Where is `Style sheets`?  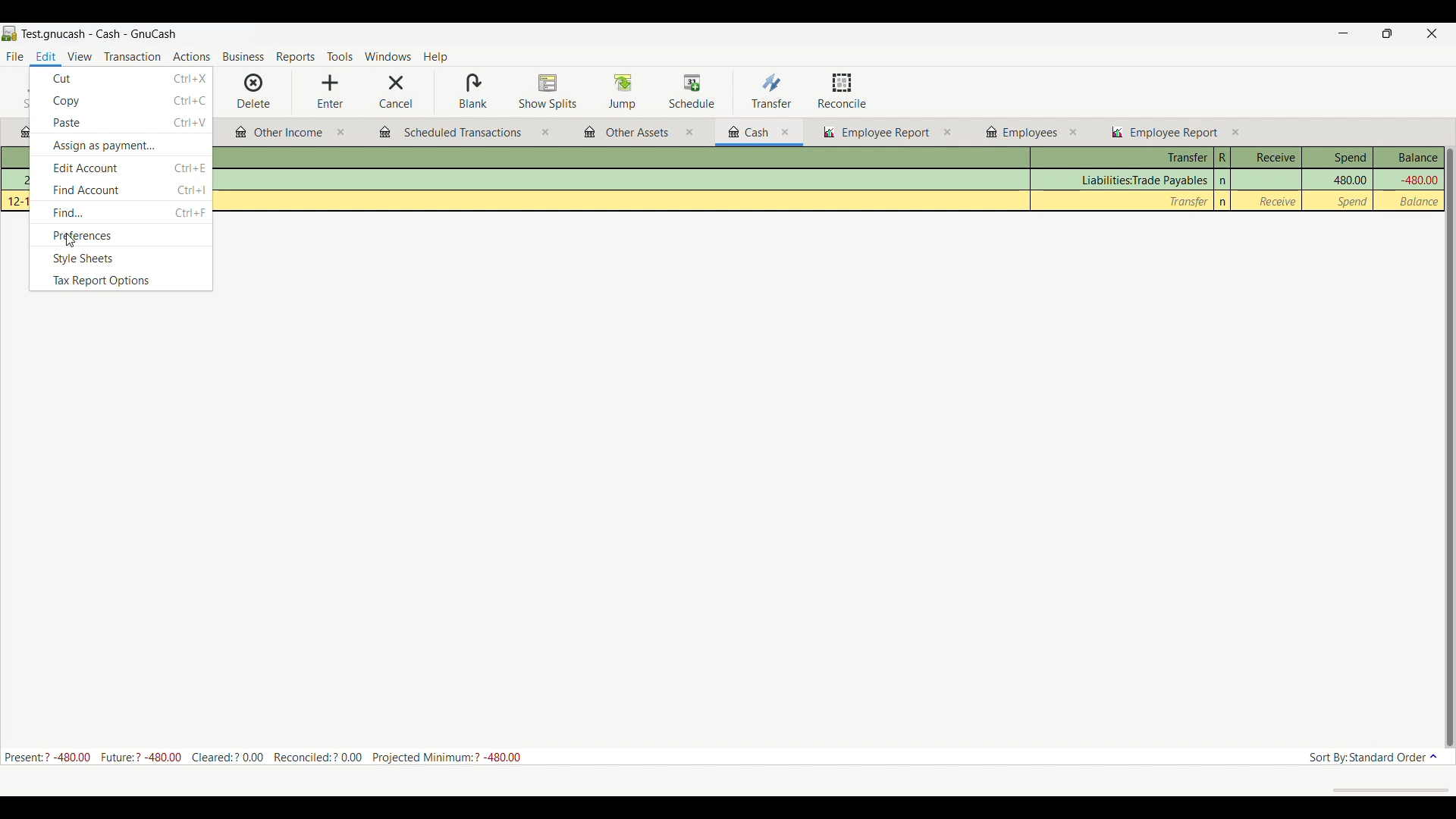
Style sheets is located at coordinates (120, 259).